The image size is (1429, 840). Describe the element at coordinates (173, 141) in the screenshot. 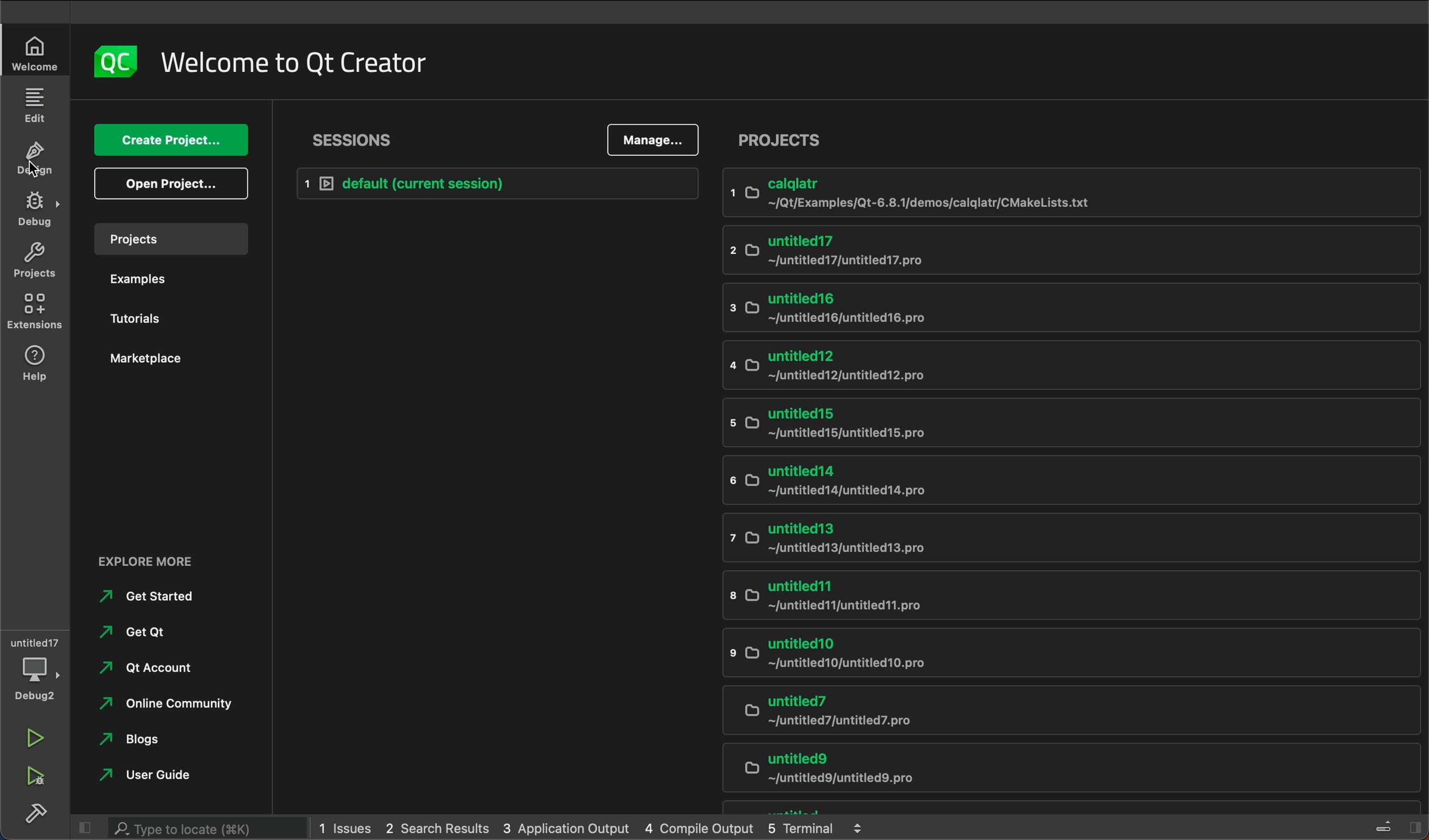

I see `create` at that location.